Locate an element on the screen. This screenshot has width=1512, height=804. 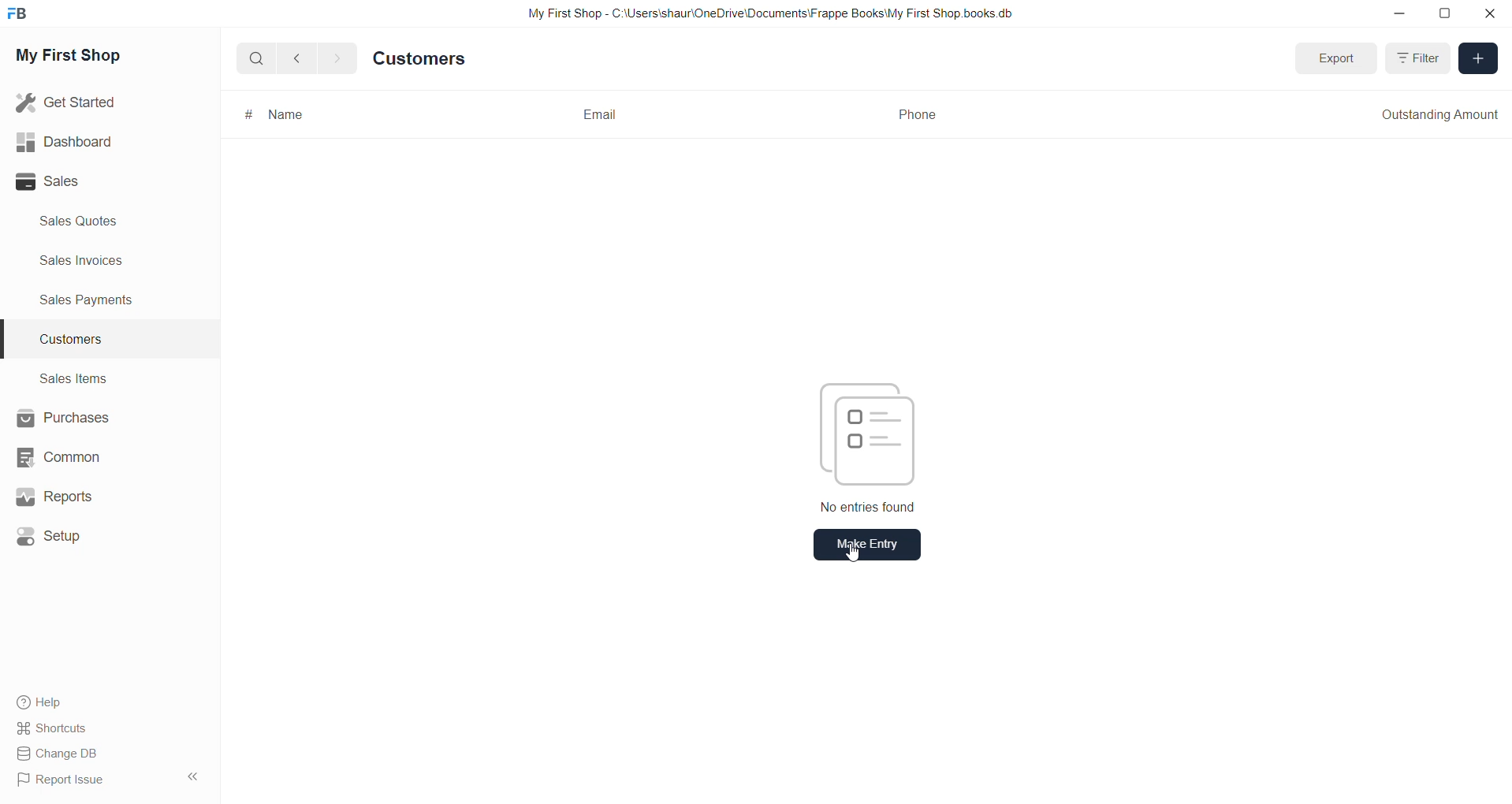
Setup is located at coordinates (53, 534).